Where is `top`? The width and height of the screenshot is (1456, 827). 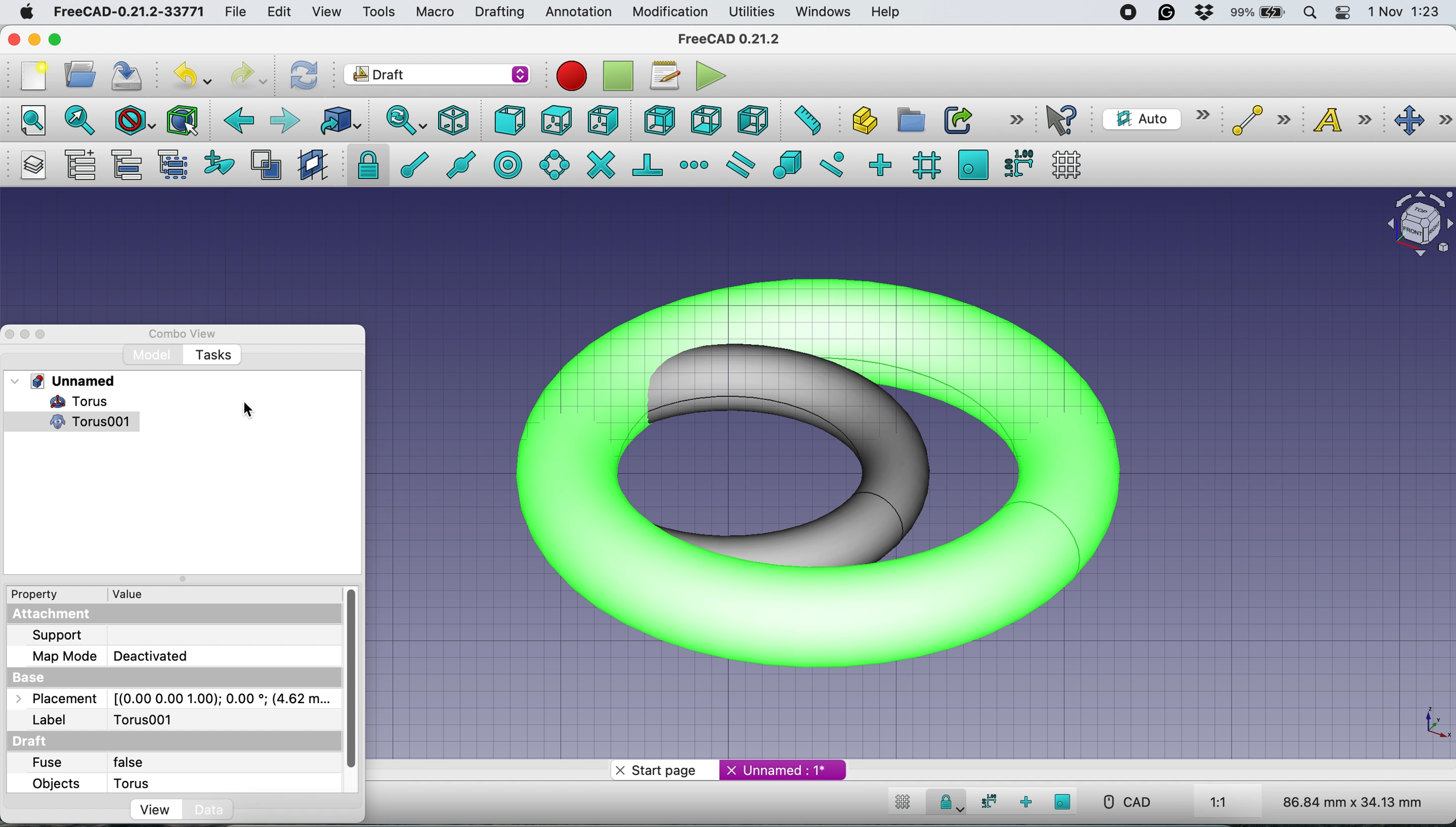
top is located at coordinates (555, 119).